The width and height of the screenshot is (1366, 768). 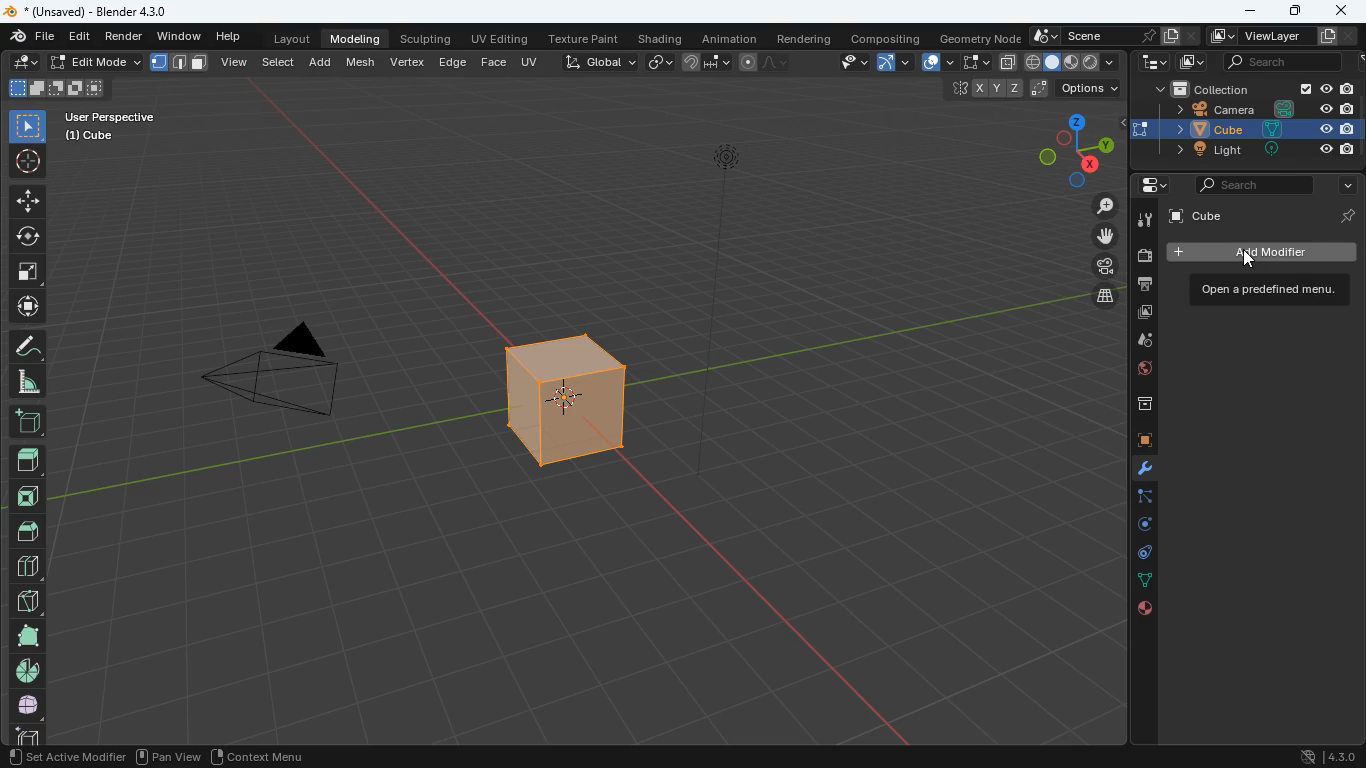 I want to click on 4.30, so click(x=1324, y=755).